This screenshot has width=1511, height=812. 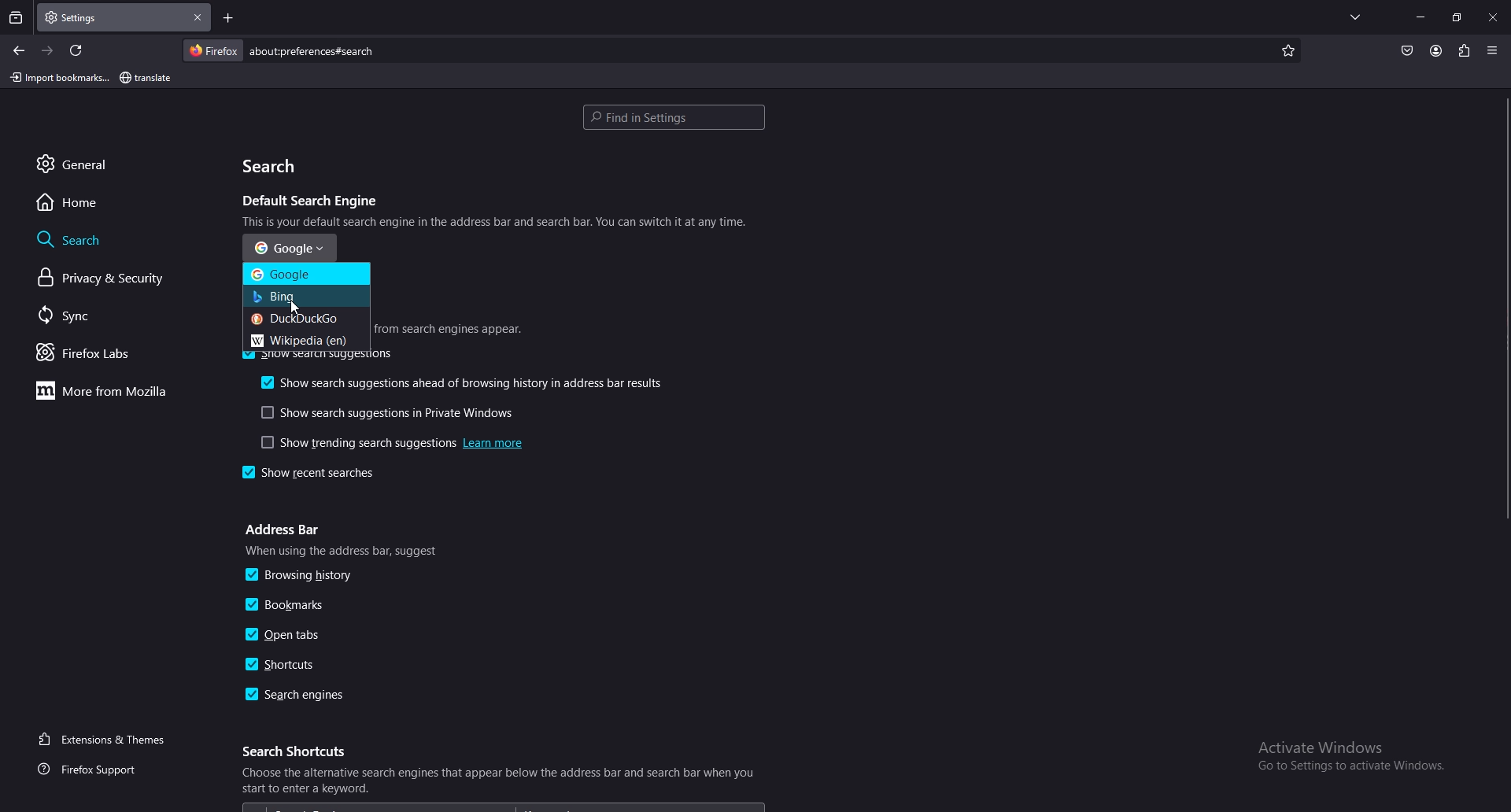 What do you see at coordinates (200, 17) in the screenshot?
I see `close tab` at bounding box center [200, 17].